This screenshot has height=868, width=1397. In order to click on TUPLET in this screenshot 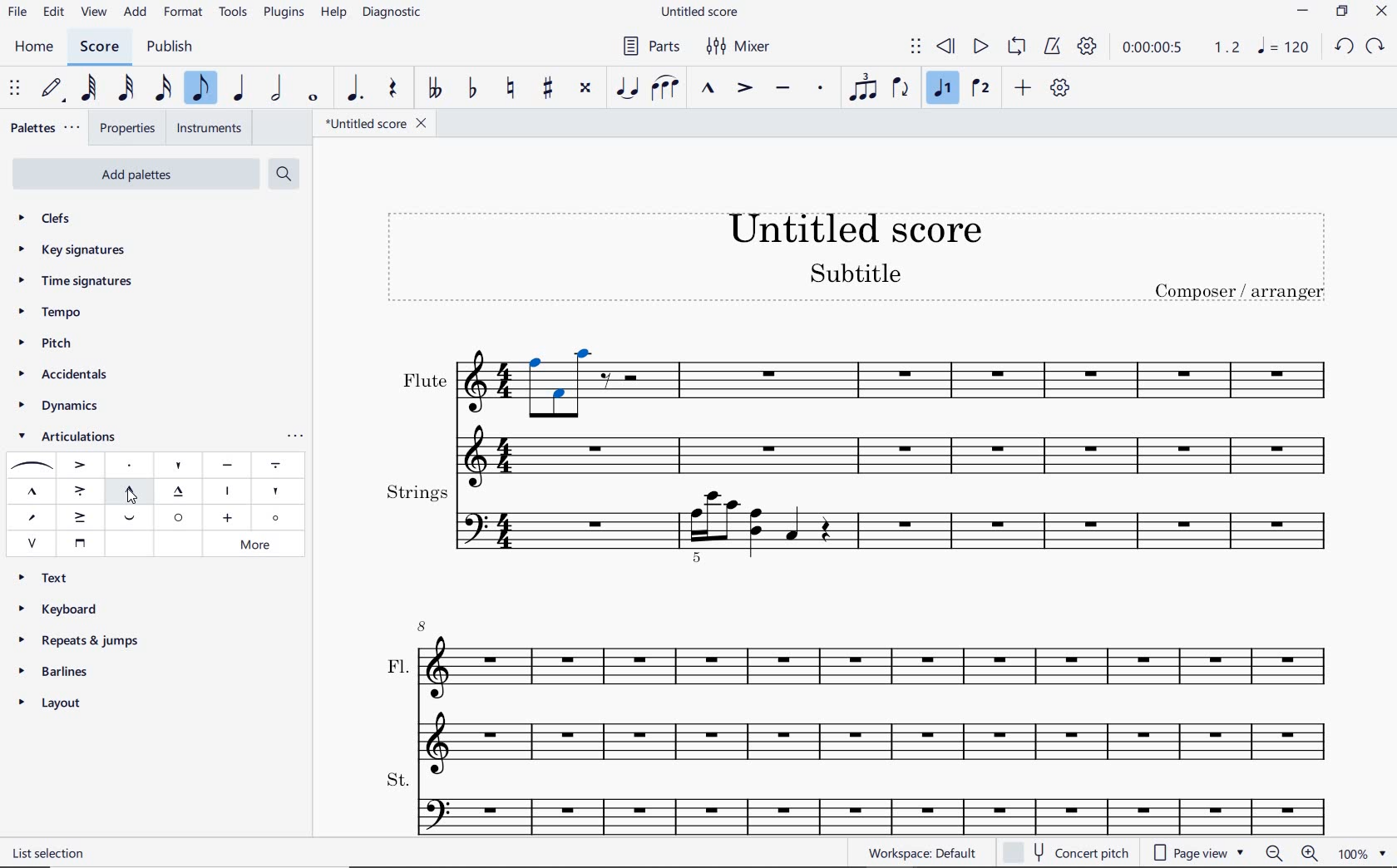, I will do `click(861, 86)`.